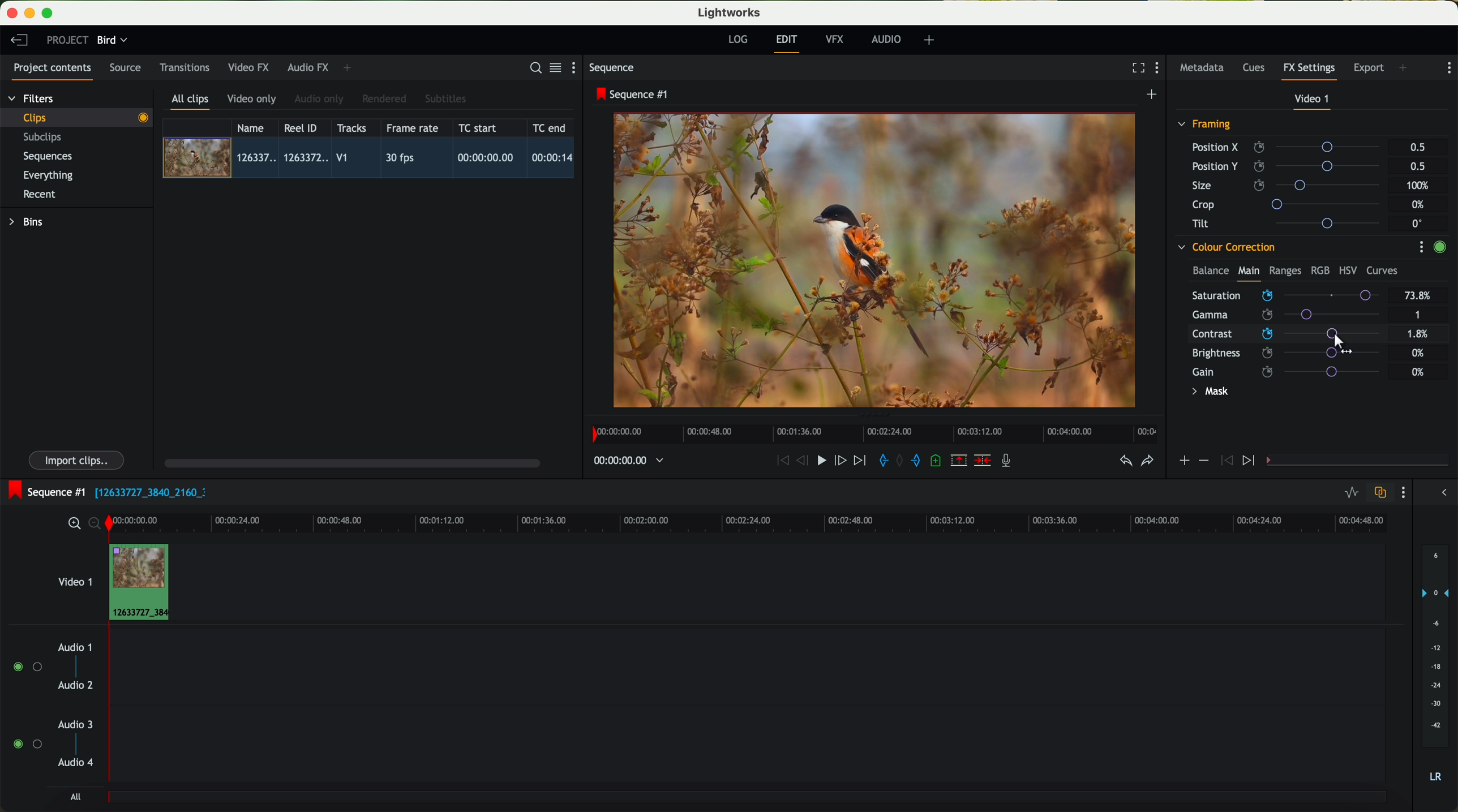  I want to click on fullscreen, so click(1136, 67).